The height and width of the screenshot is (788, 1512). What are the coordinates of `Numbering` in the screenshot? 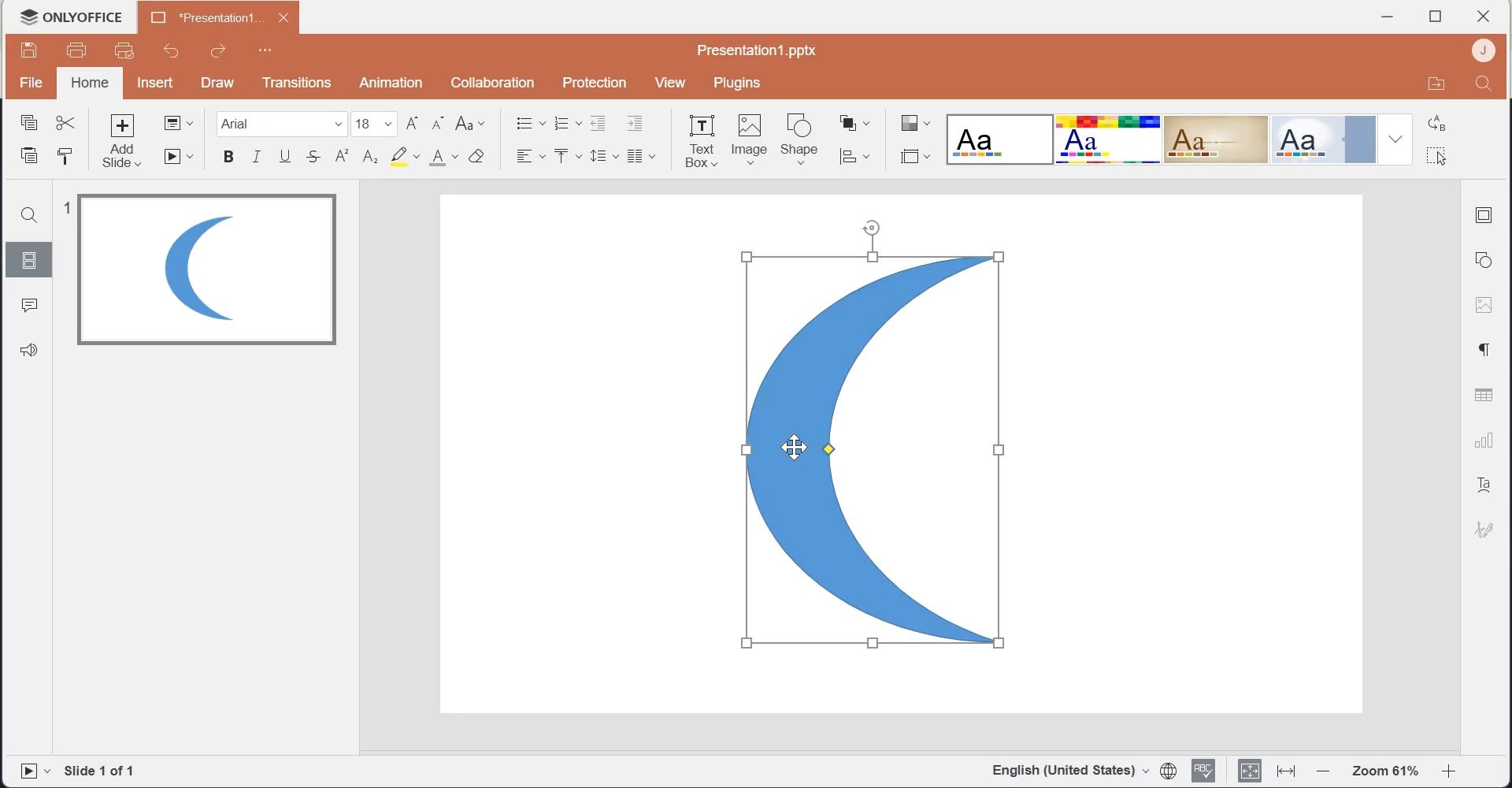 It's located at (566, 122).